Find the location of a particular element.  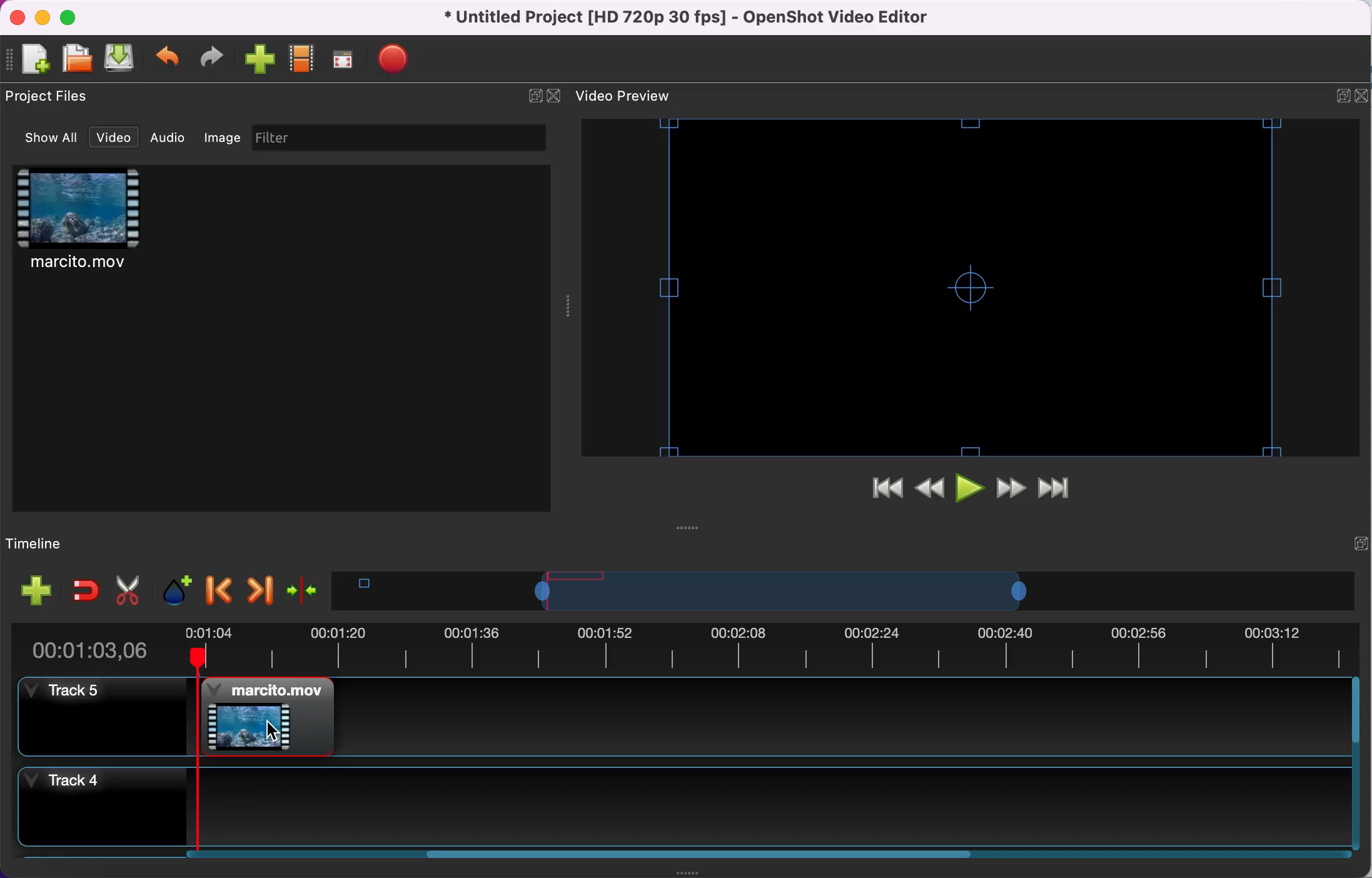

filter is located at coordinates (399, 138).